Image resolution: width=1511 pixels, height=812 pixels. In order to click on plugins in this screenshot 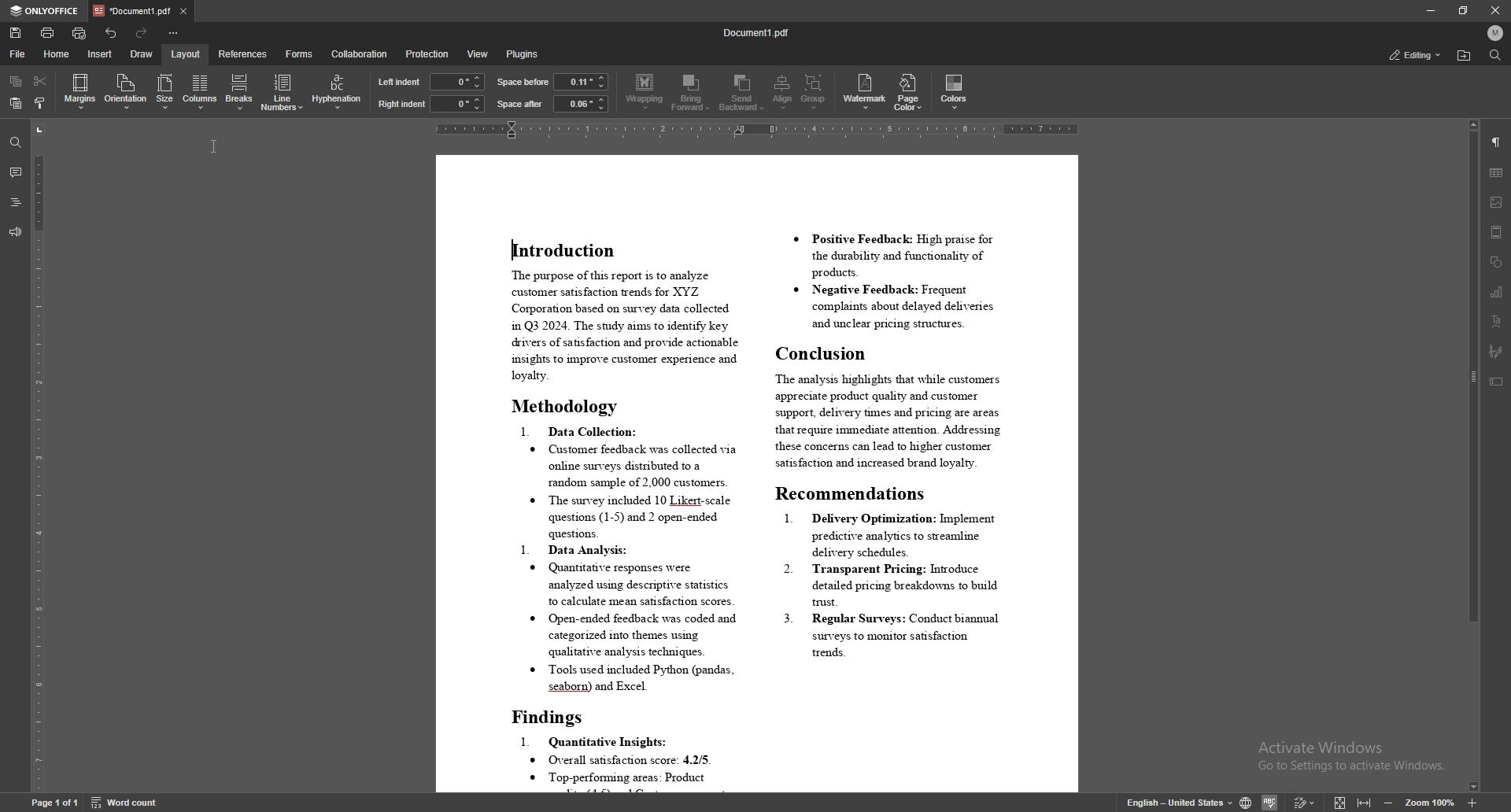, I will do `click(525, 54)`.